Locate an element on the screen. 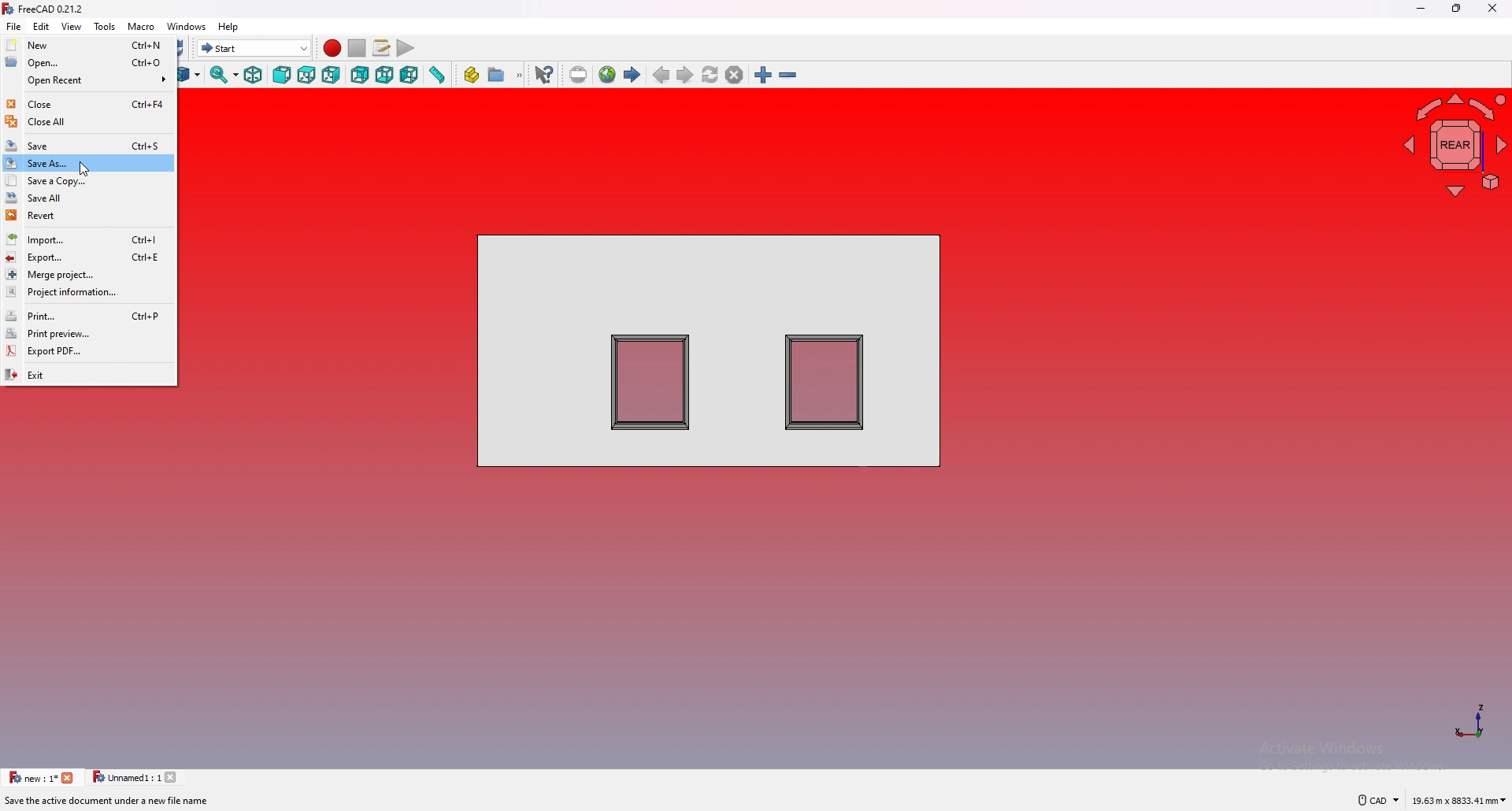 The height and width of the screenshot is (811, 1512). print preview is located at coordinates (87, 333).